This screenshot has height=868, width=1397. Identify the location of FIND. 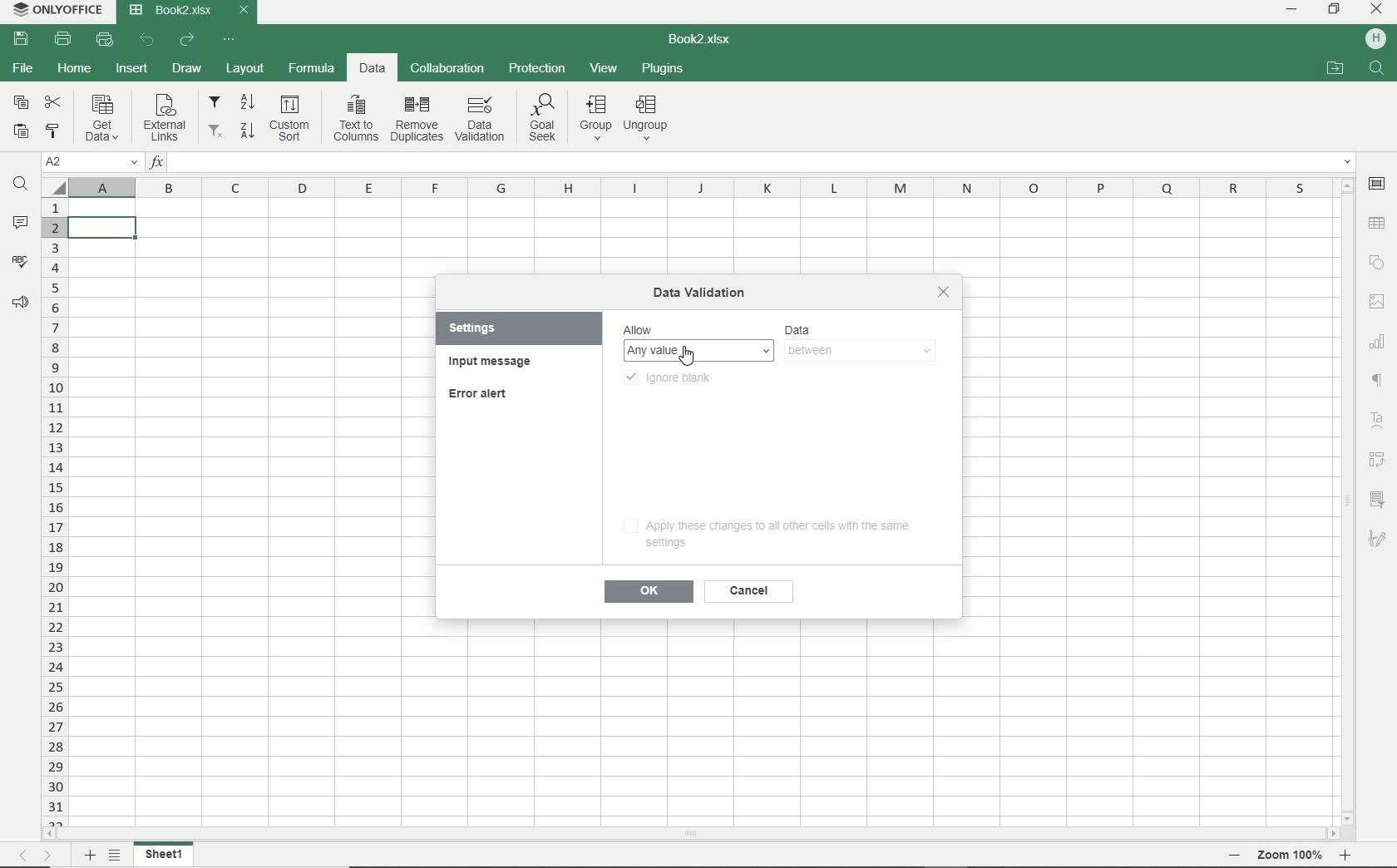
(19, 185).